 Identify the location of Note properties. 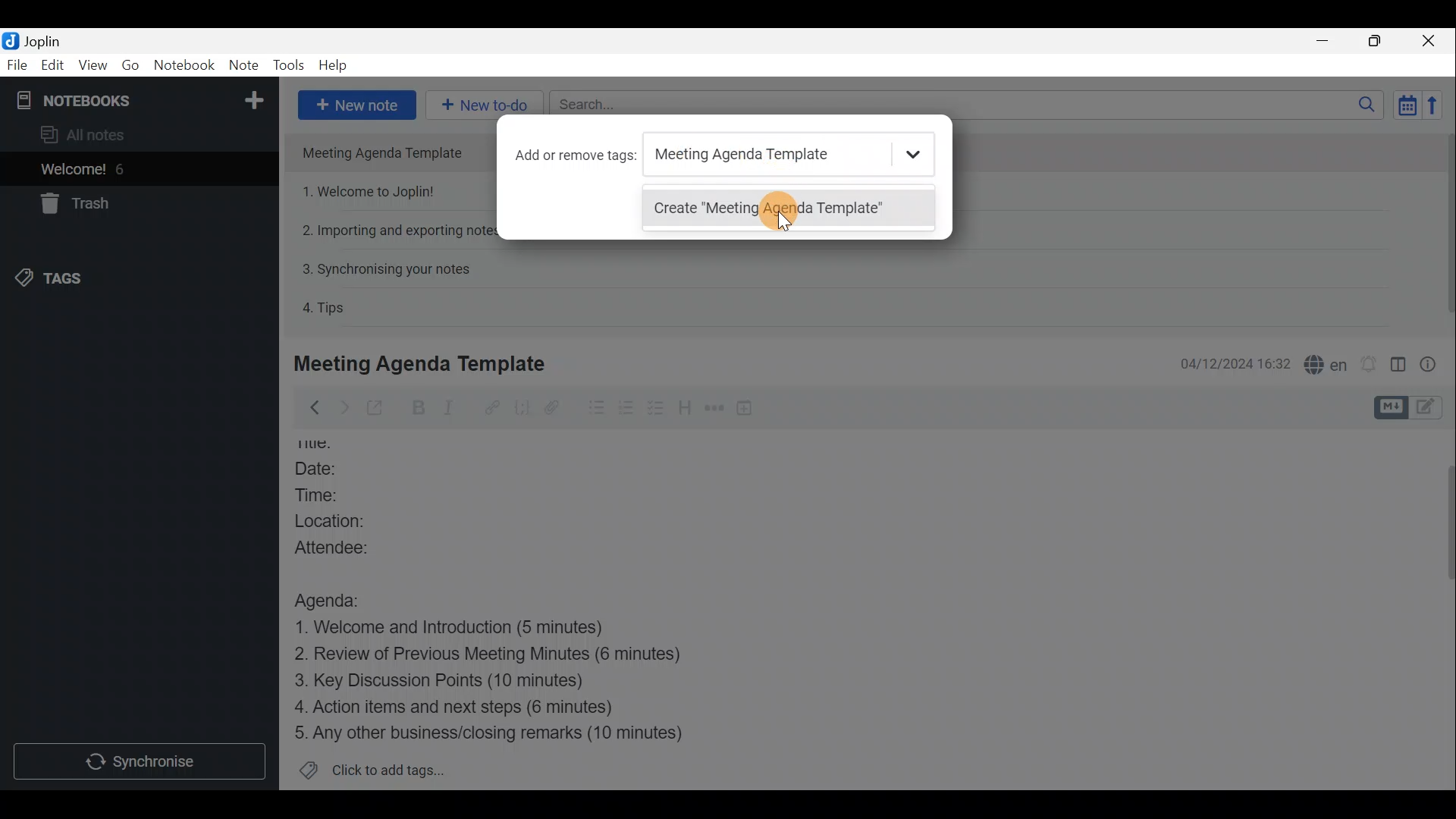
(1433, 363).